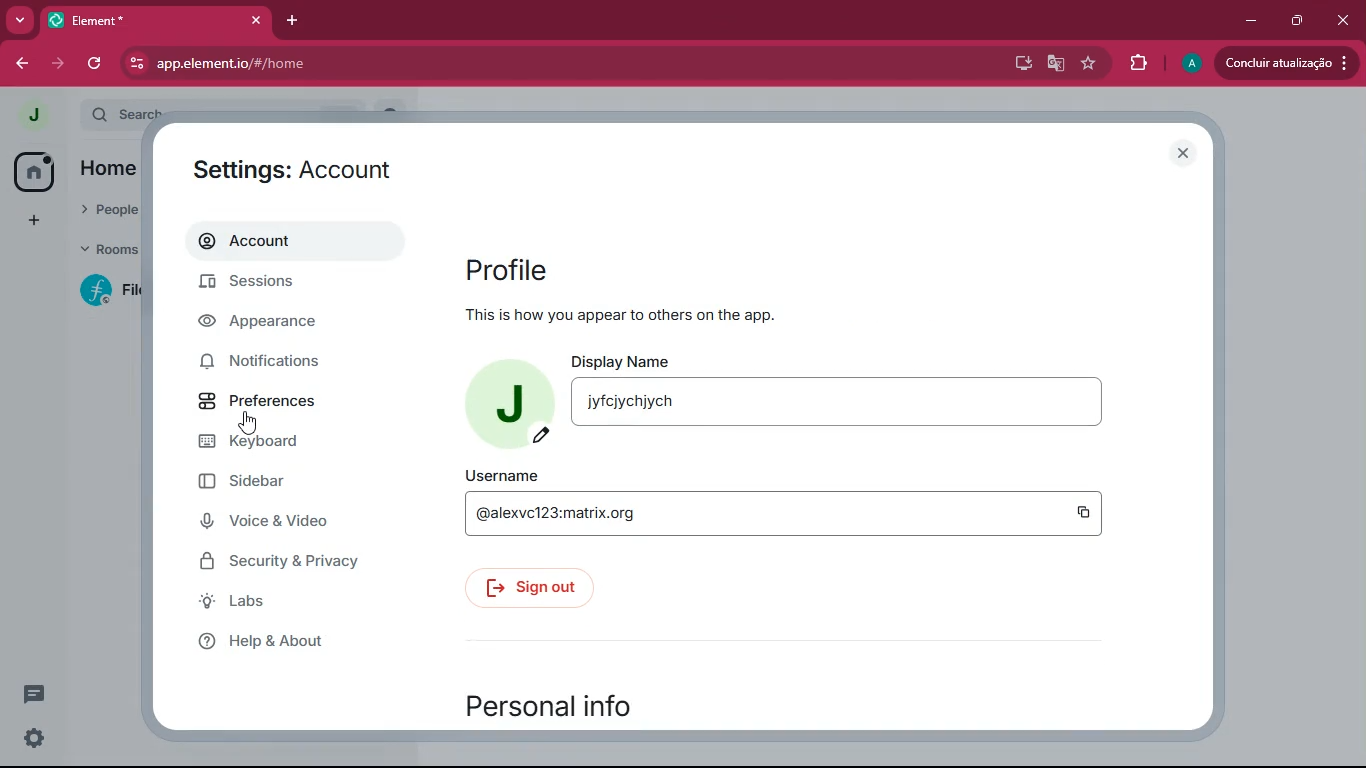 The width and height of the screenshot is (1366, 768). I want to click on username @alexvc123:matrix.org, so click(786, 504).